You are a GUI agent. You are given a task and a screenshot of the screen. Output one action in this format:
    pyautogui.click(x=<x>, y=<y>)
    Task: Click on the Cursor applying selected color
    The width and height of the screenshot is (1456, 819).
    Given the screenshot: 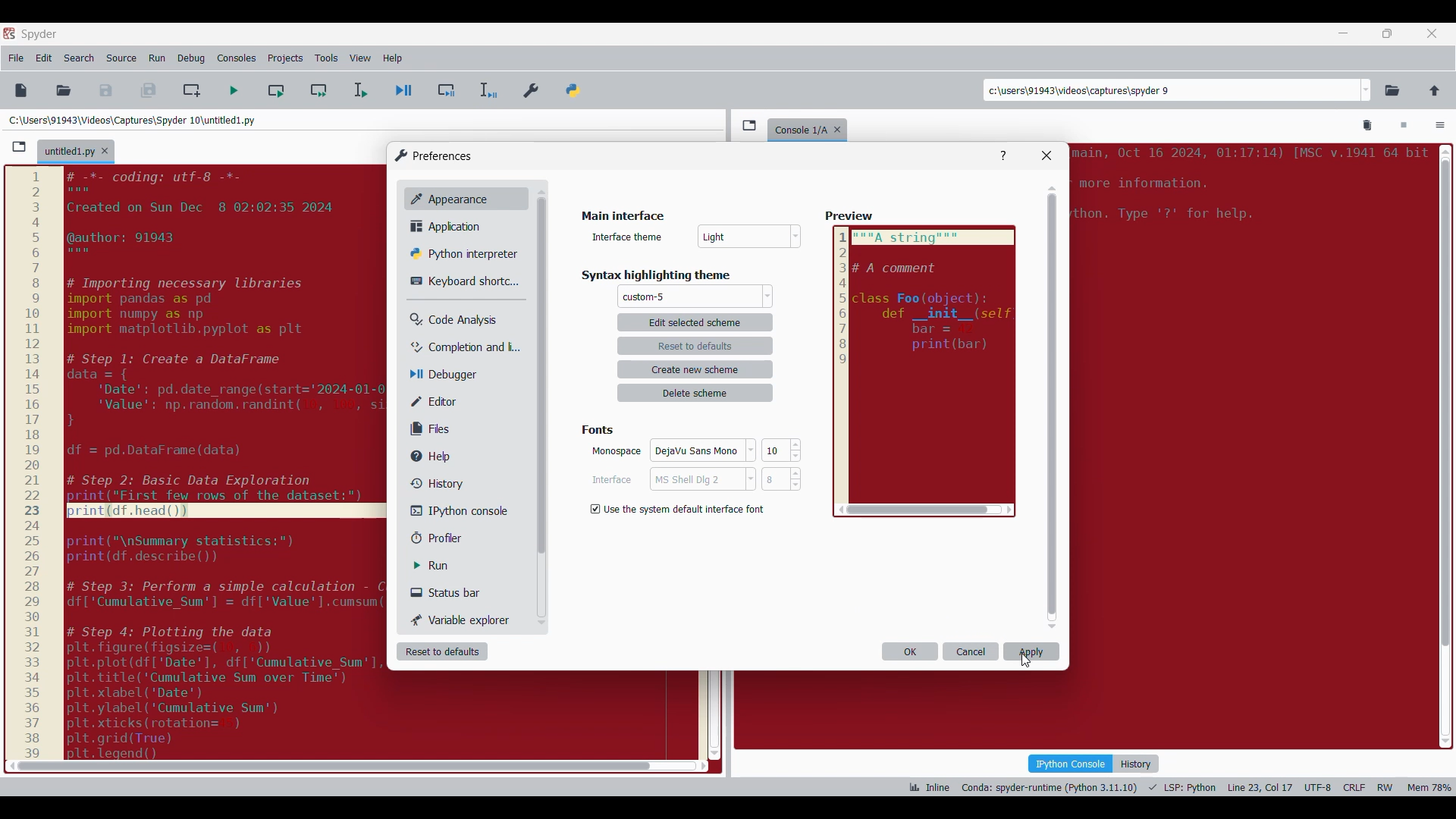 What is the action you would take?
    pyautogui.click(x=1026, y=660)
    